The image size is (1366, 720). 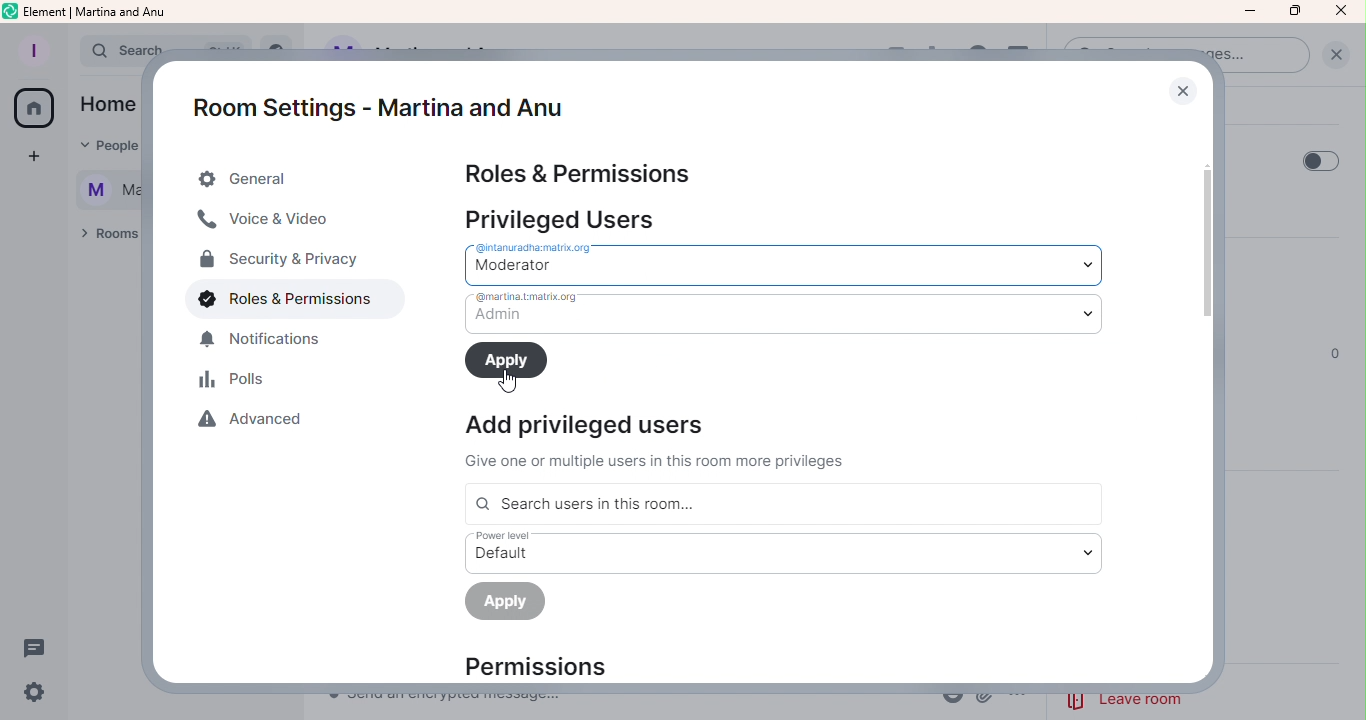 I want to click on Threads, so click(x=40, y=647).